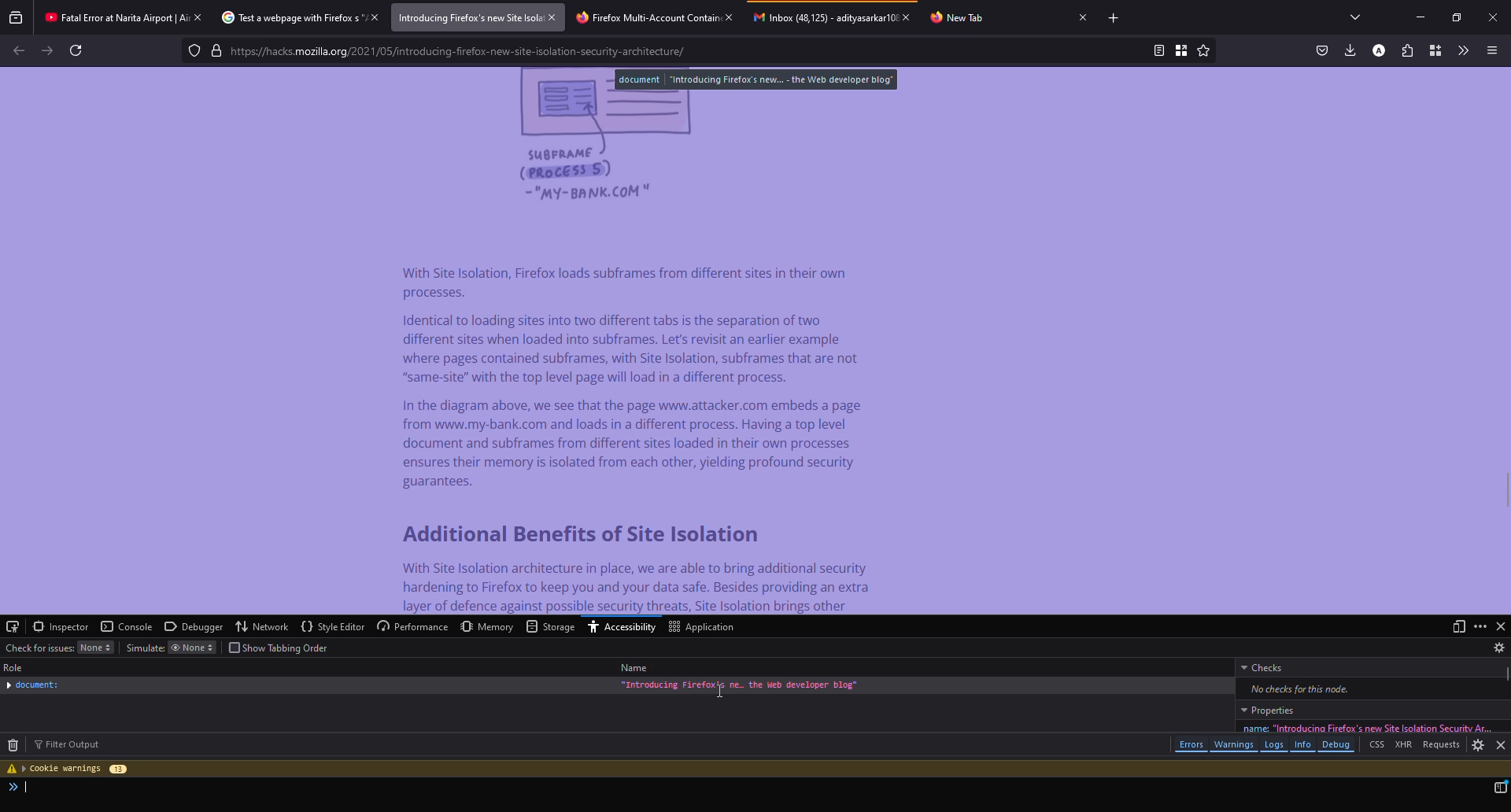  What do you see at coordinates (639, 436) in the screenshot?
I see `With Site Isolation, Firefox loads subframes from different sites in their own
processes.

Identical to loading sites into two different tabs is the separation of two
different sites when loaded into subframes. Let's revisit an earlier example
where pages contained subframes, with Site Isolation, subframes that are not
“same-site” with the top level page will load in a different process.

In the diagram above, we see that the page www.attacker.com embeds a page
from www.my-bank.com and loads in a different process. Having a top level
document and subframes from different sites loaded in their own processes
ensures their memory is isolated from each other, yielding profound security
guarantees.

Additional Benefits of Site Isolation

With Site Isolation architecture in place, we are able to bring additional security
hardening to Firefox to keep you and your data safe. Besides providing an extra
Rear of clhdiambet Icnkinas het lio devine Shut ei ho SS he` at bounding box center [639, 436].